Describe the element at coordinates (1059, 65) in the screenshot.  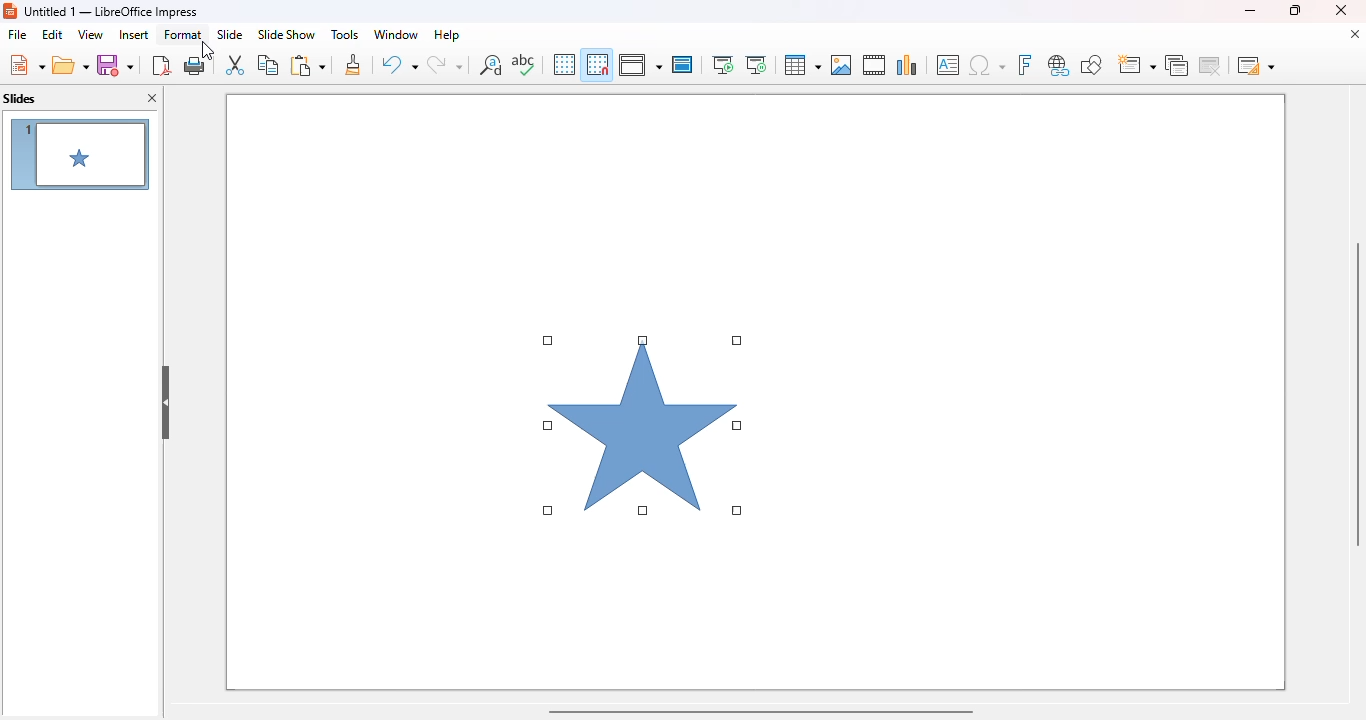
I see `insert hyperlink` at that location.